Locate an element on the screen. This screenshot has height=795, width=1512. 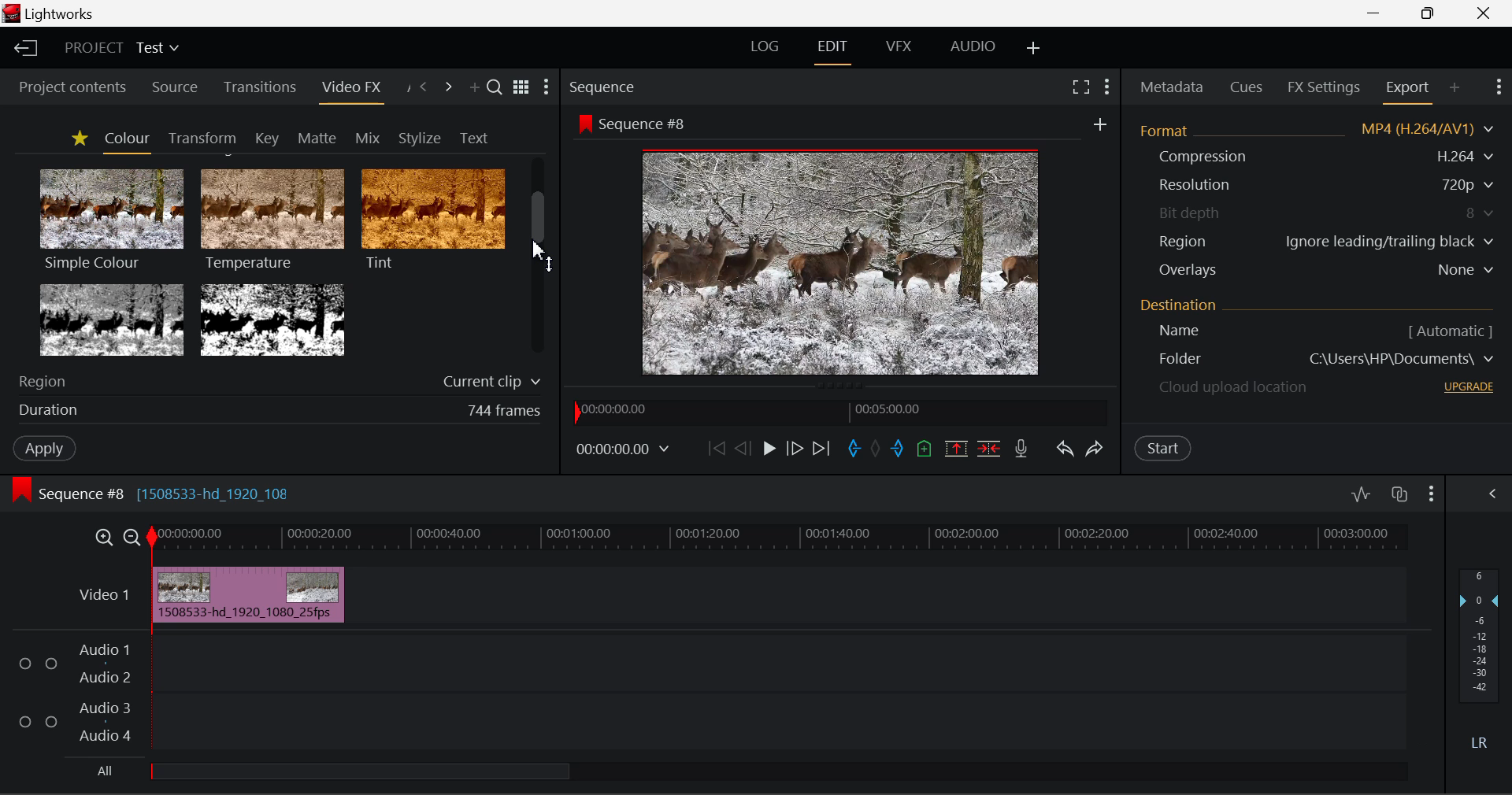
Toggle auto track sync is located at coordinates (1399, 494).